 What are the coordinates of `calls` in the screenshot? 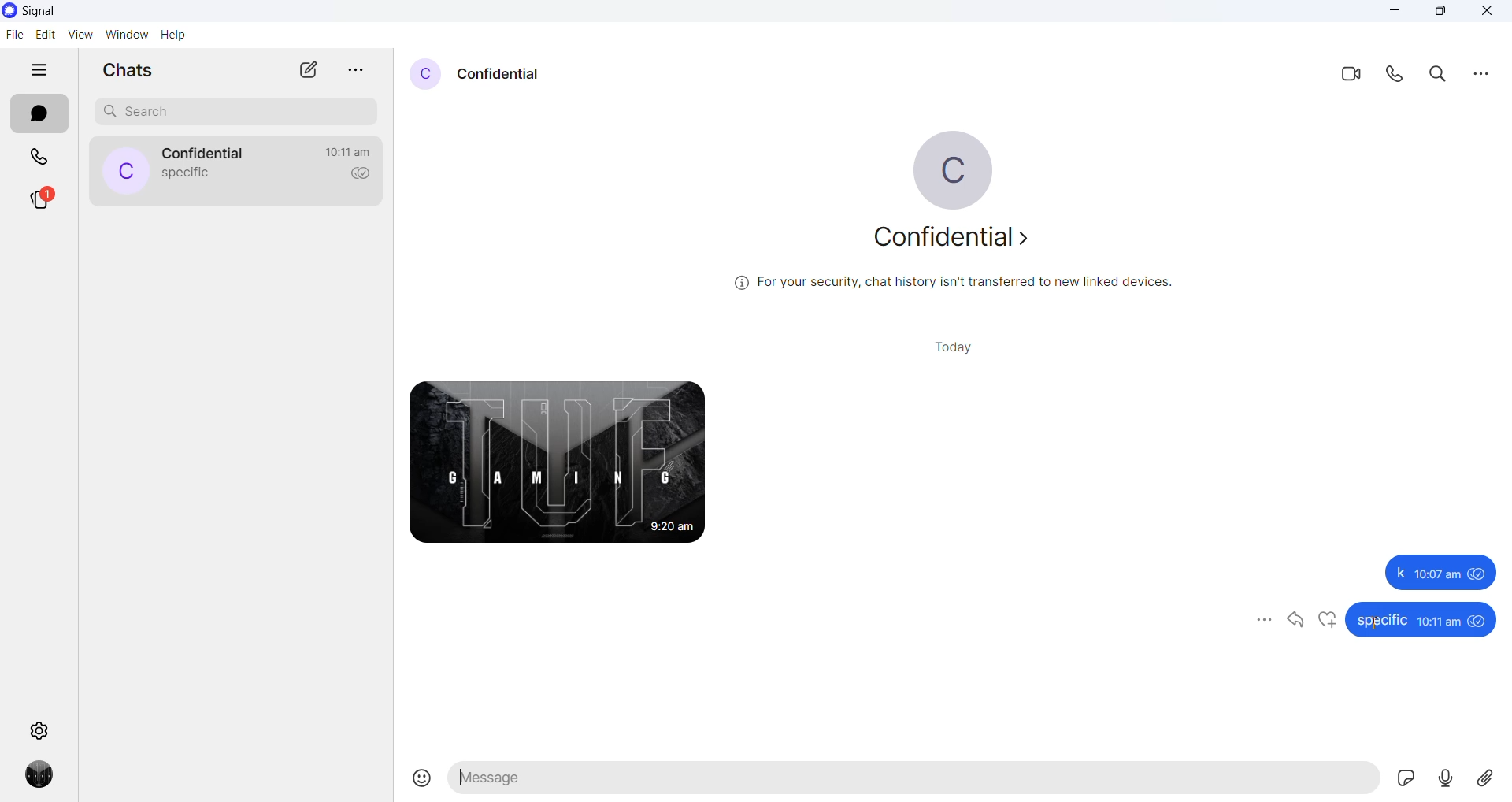 It's located at (37, 157).